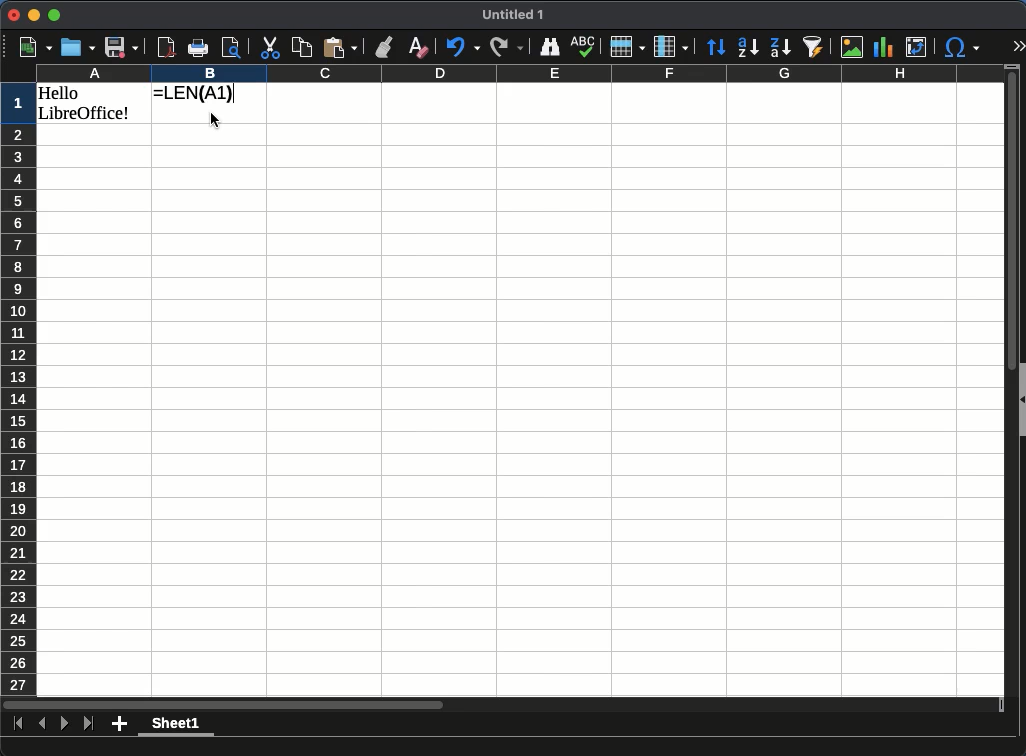  What do you see at coordinates (199, 97) in the screenshot?
I see `=LEN(A1)` at bounding box center [199, 97].